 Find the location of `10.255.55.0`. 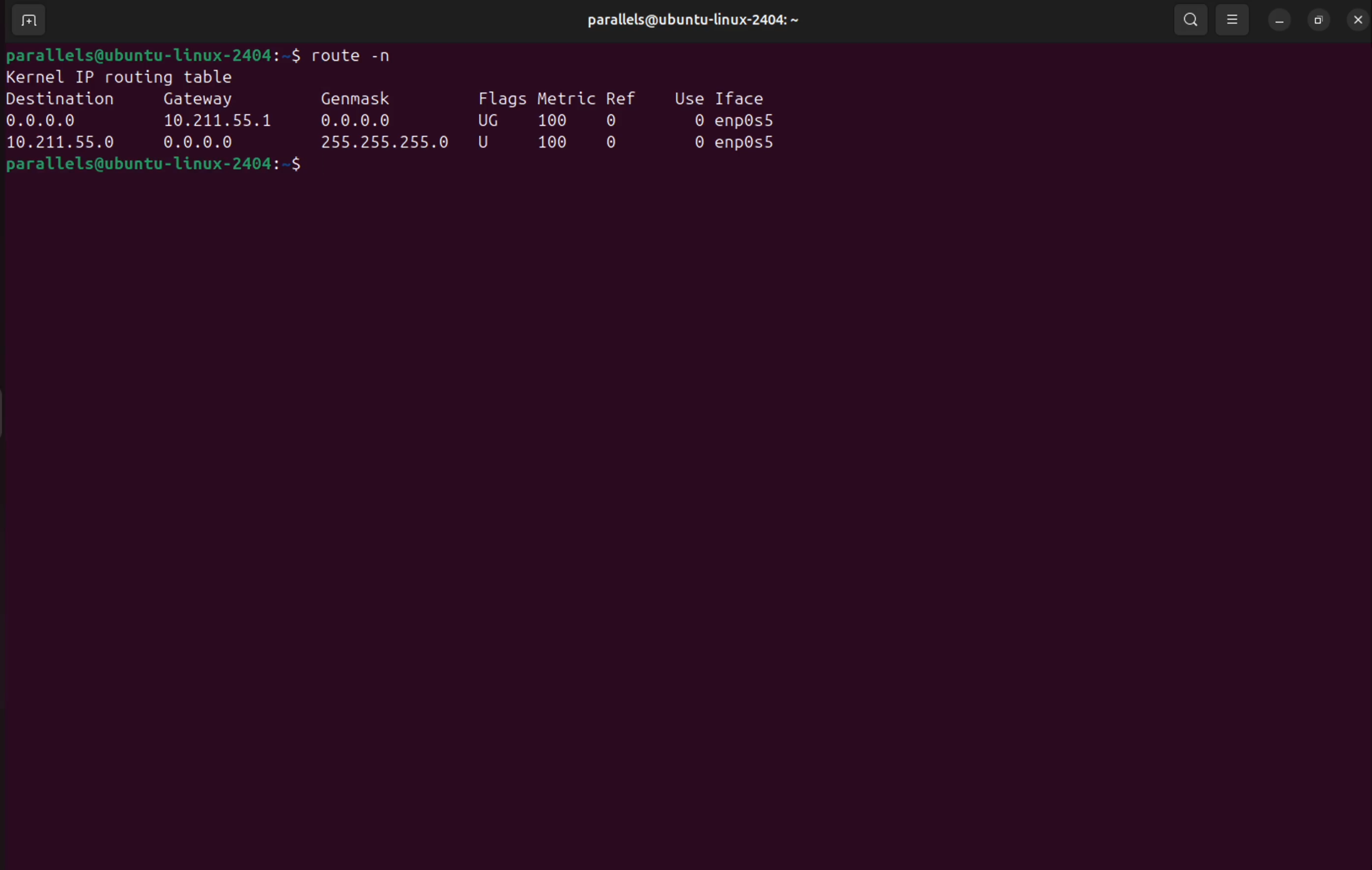

10.255.55.0 is located at coordinates (64, 145).